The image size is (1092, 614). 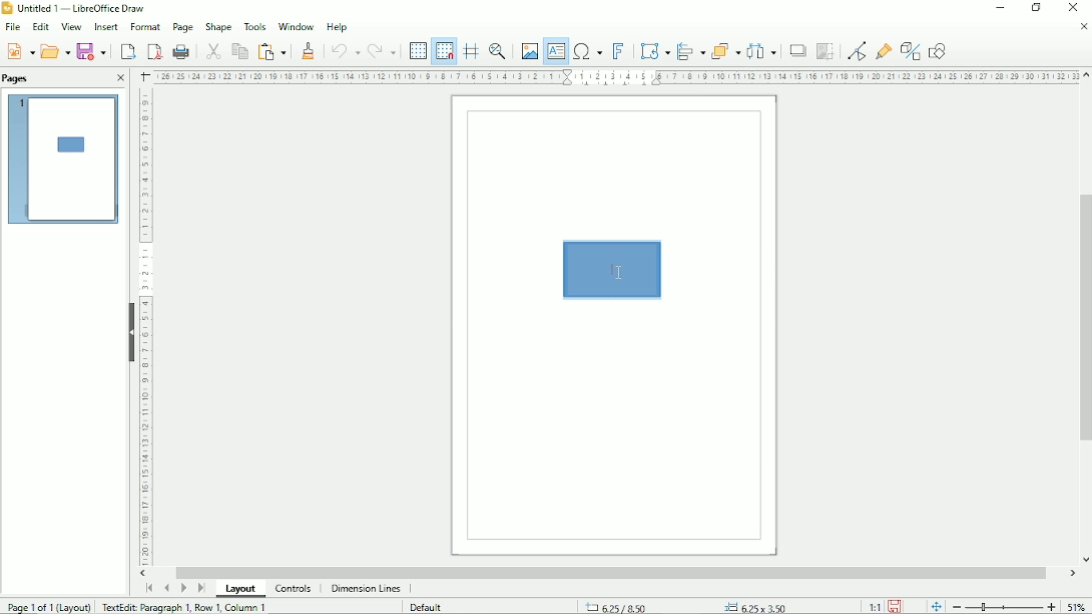 I want to click on Copy, so click(x=238, y=50).